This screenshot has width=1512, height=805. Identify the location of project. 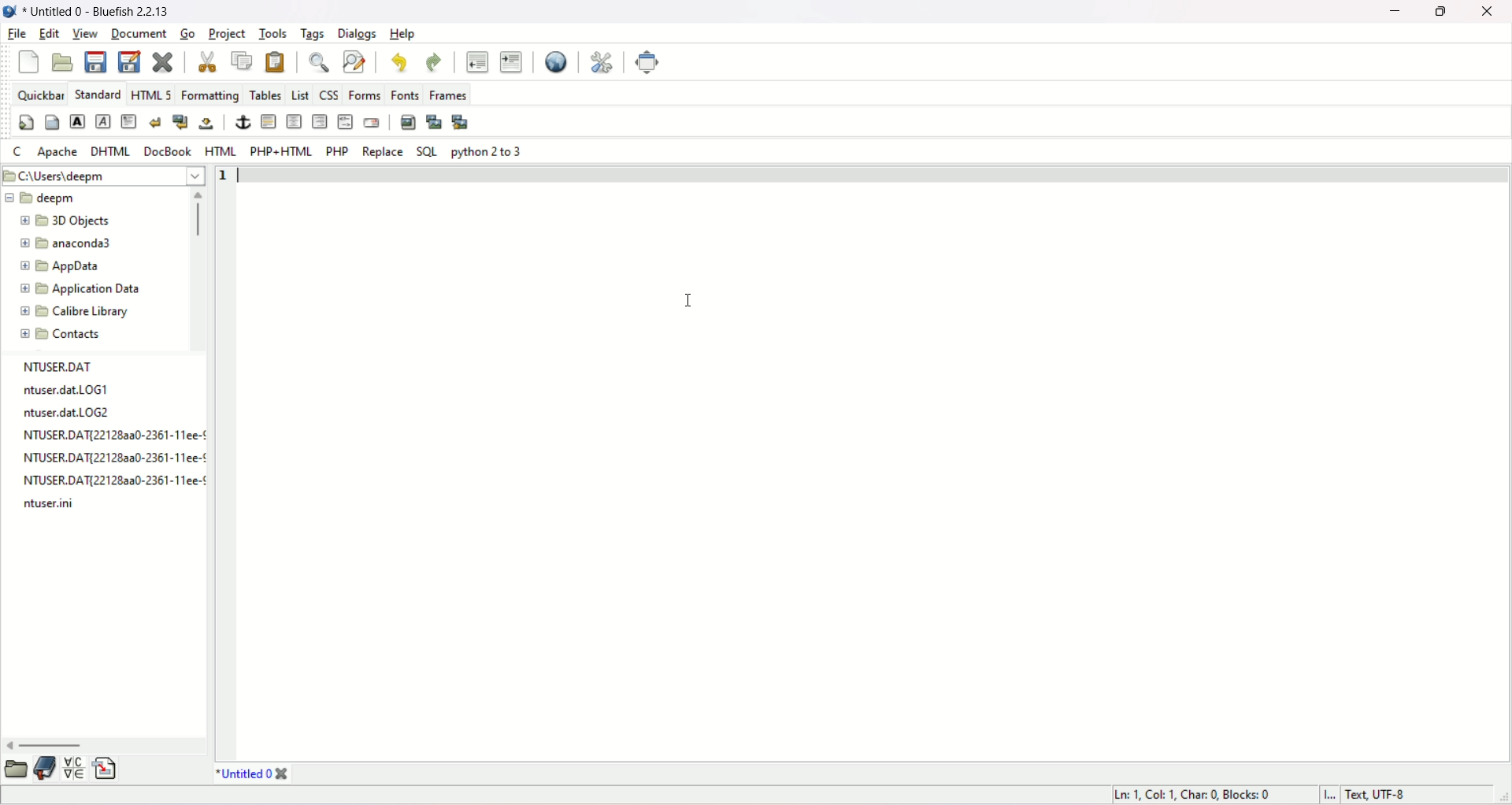
(229, 34).